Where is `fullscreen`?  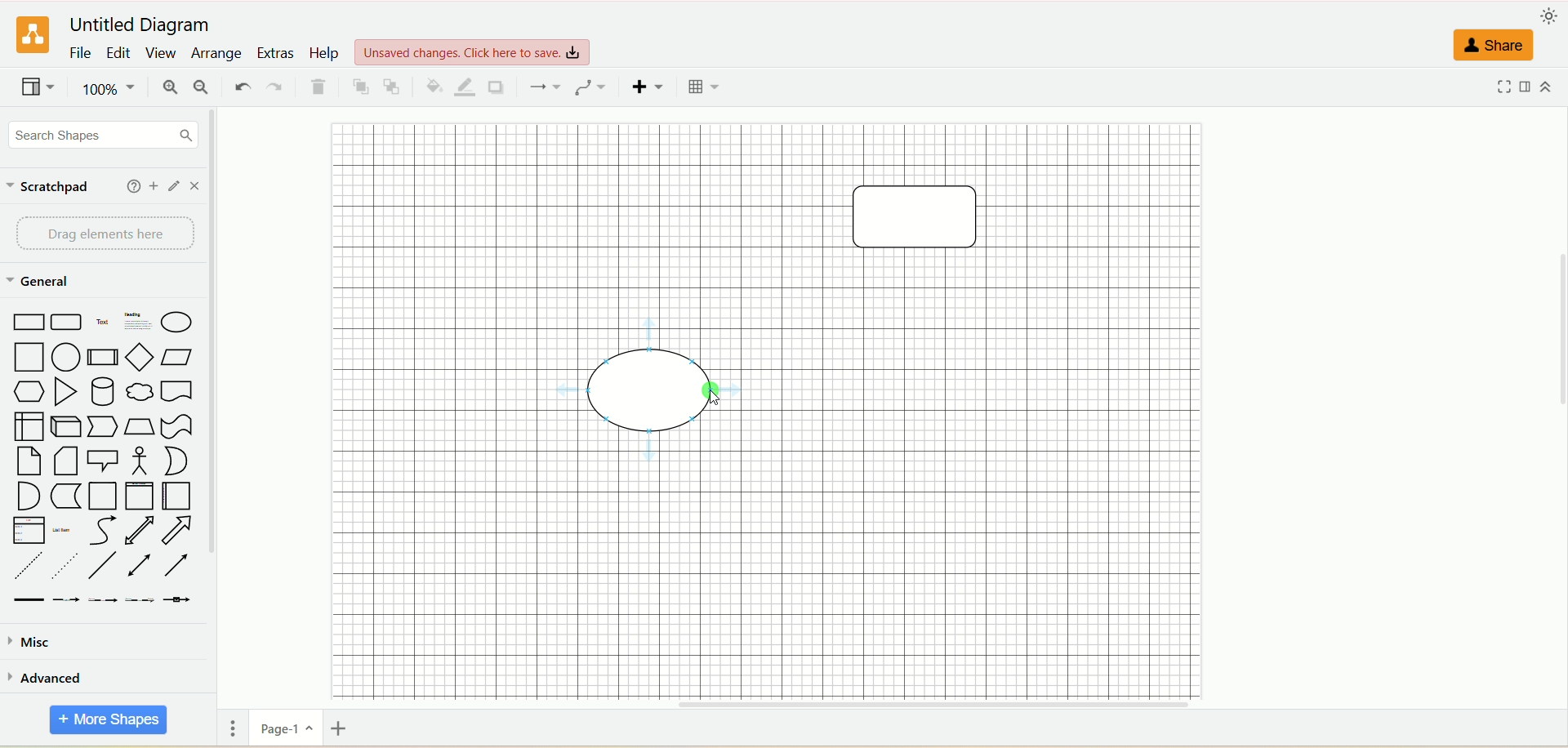 fullscreen is located at coordinates (1502, 87).